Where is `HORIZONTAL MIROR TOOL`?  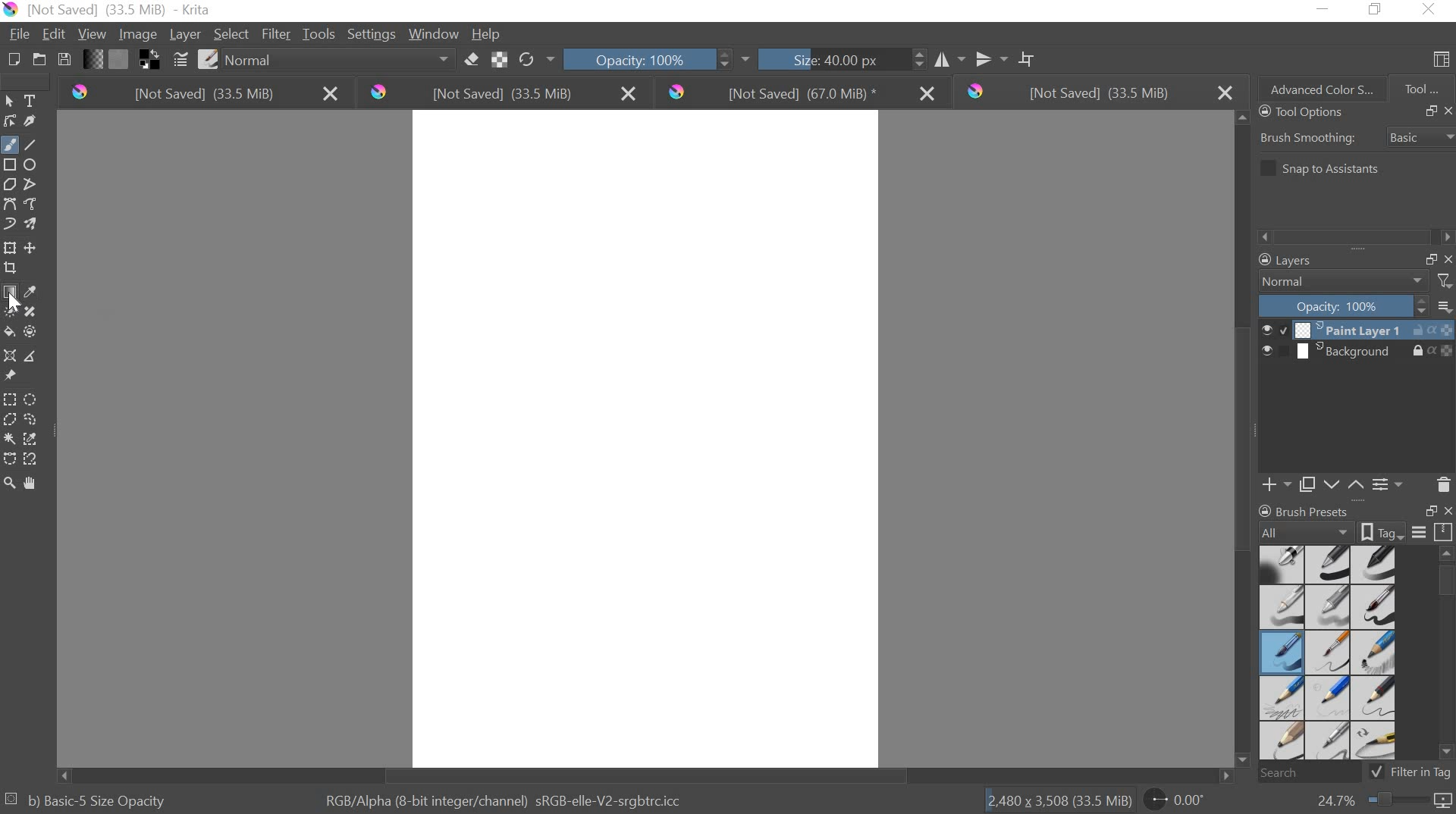
HORIZONTAL MIROR TOOL is located at coordinates (927, 57).